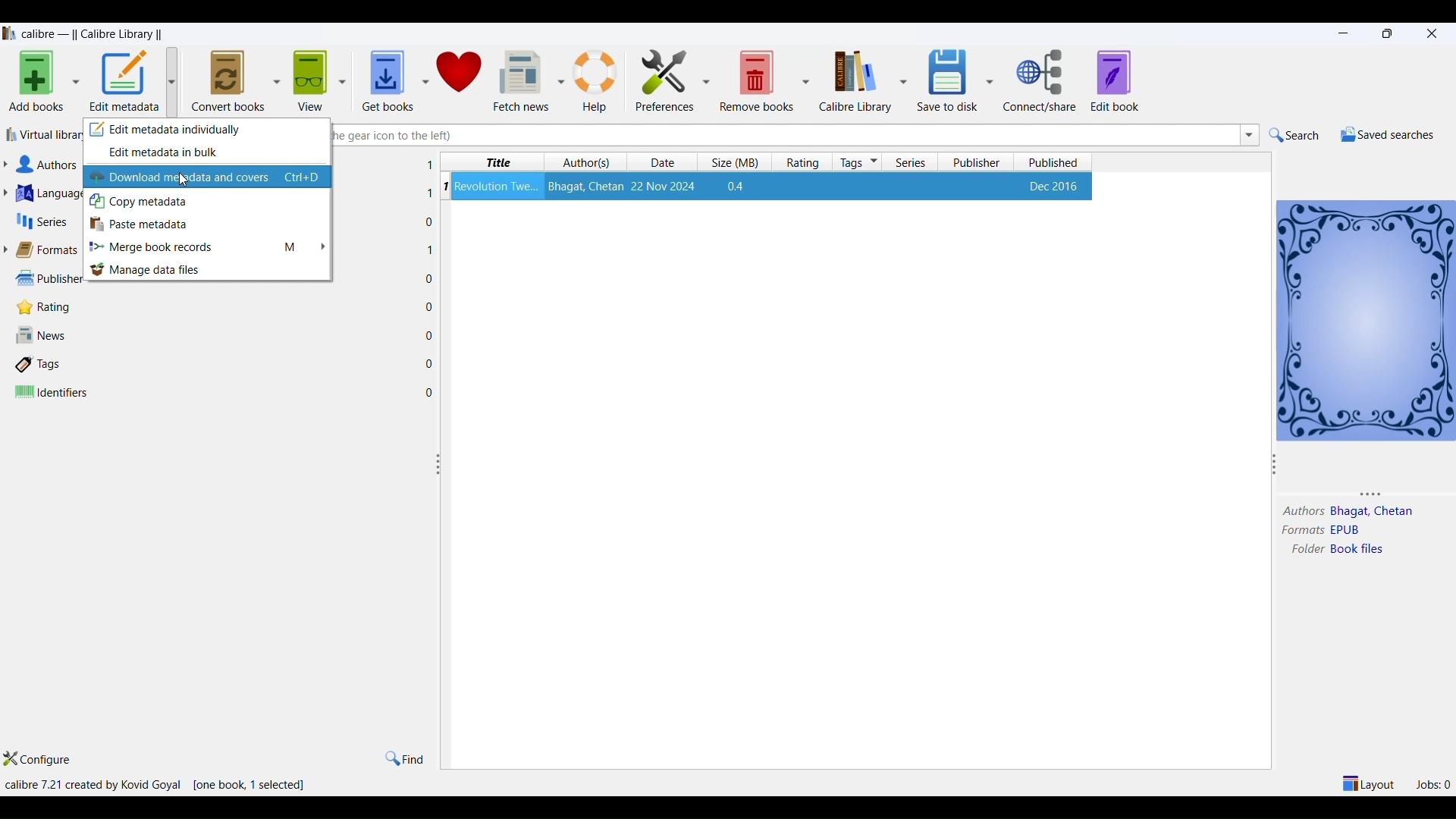 Image resolution: width=1456 pixels, height=819 pixels. What do you see at coordinates (588, 162) in the screenshot?
I see `authors` at bounding box center [588, 162].